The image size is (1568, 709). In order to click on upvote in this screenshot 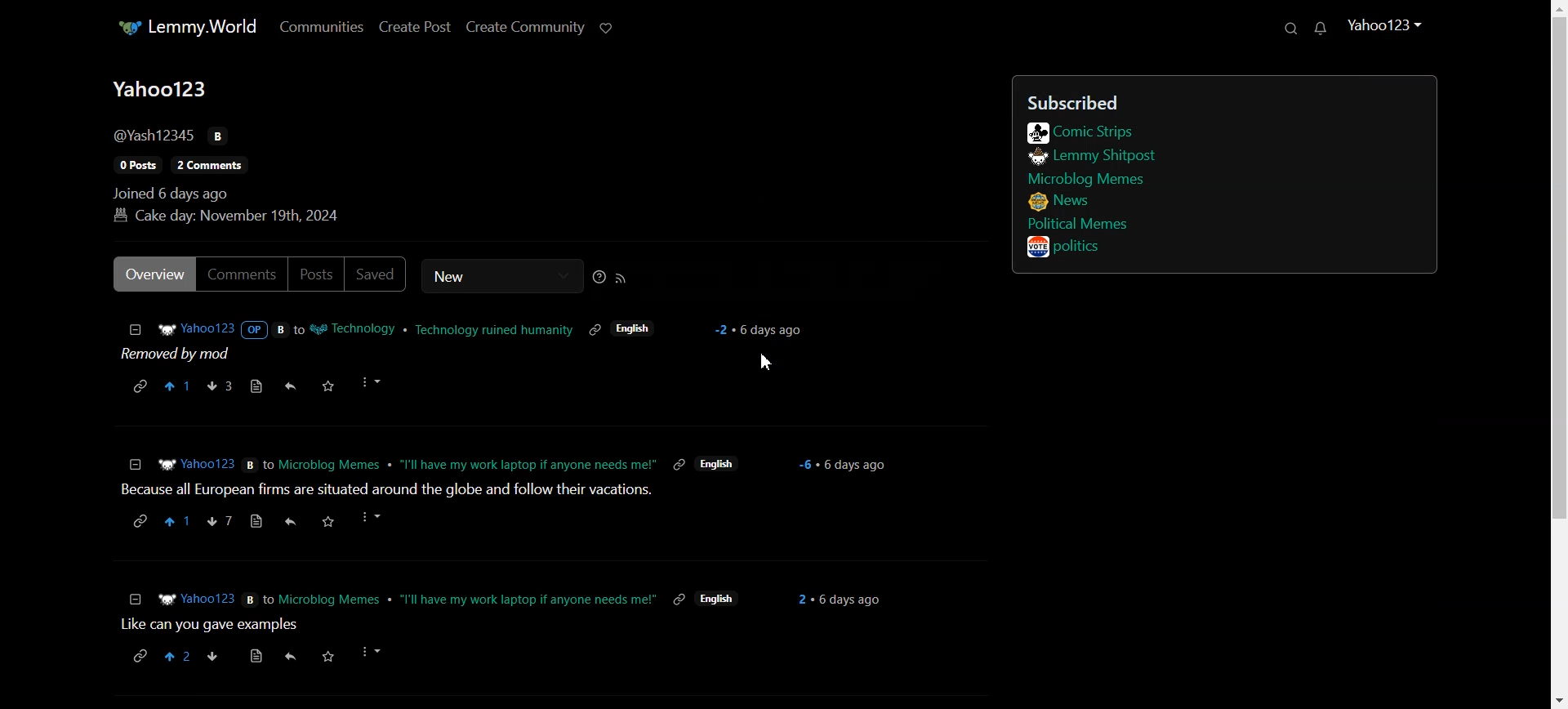, I will do `click(179, 655)`.